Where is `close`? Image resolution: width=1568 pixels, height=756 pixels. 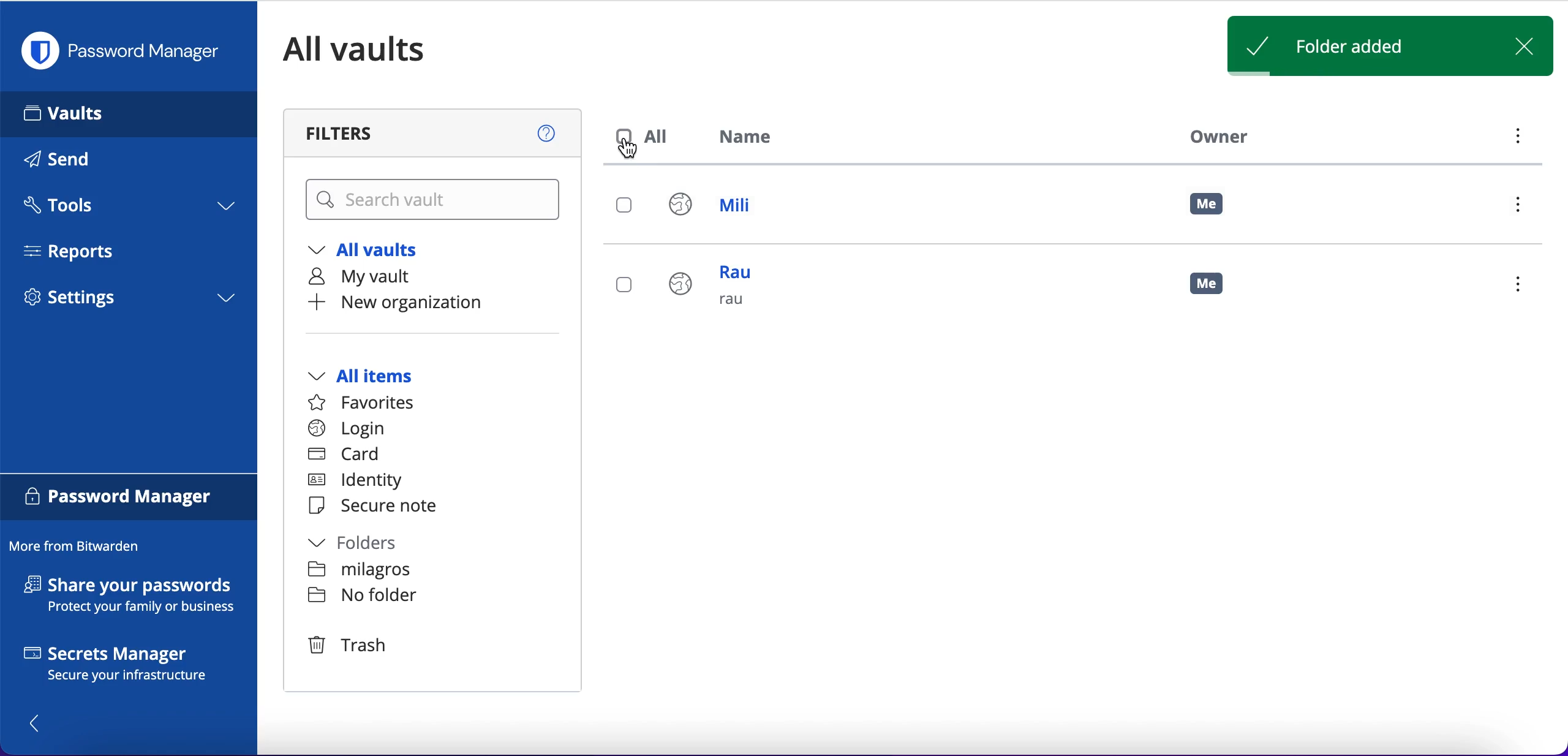
close is located at coordinates (1529, 45).